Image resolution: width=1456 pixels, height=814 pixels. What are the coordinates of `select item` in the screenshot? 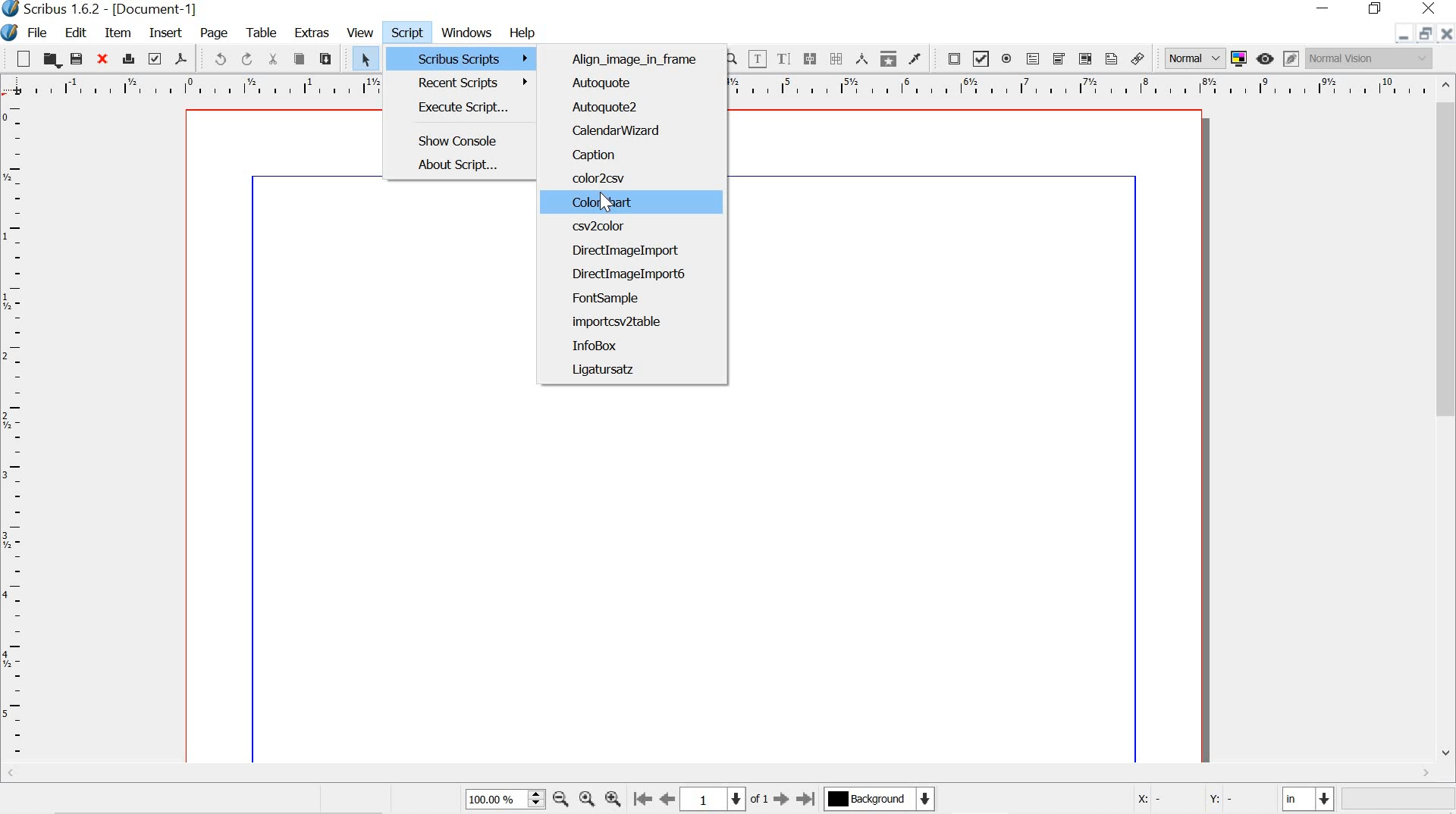 It's located at (363, 58).